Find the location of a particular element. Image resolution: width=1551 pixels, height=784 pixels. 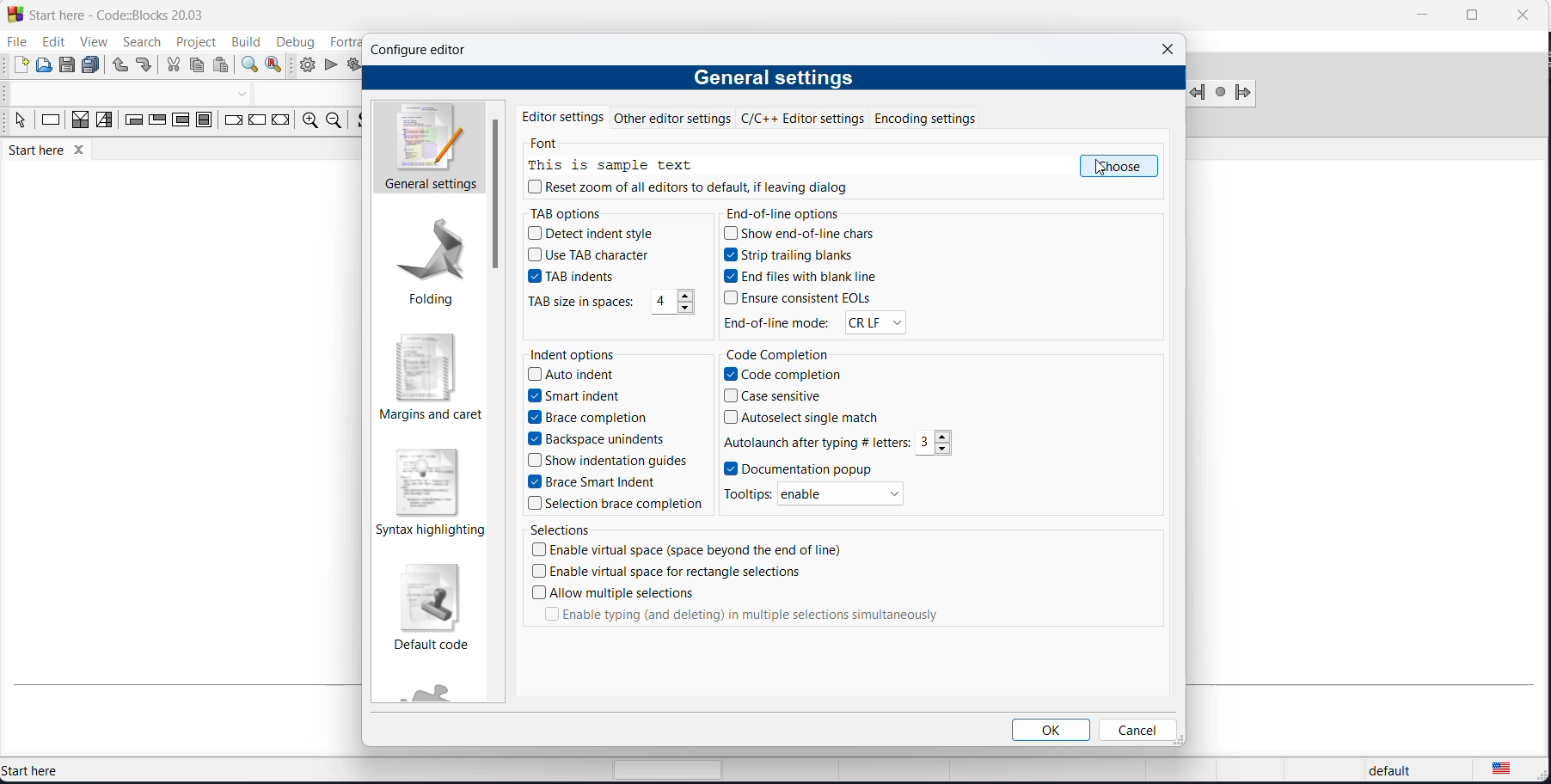

default is located at coordinates (1385, 772).